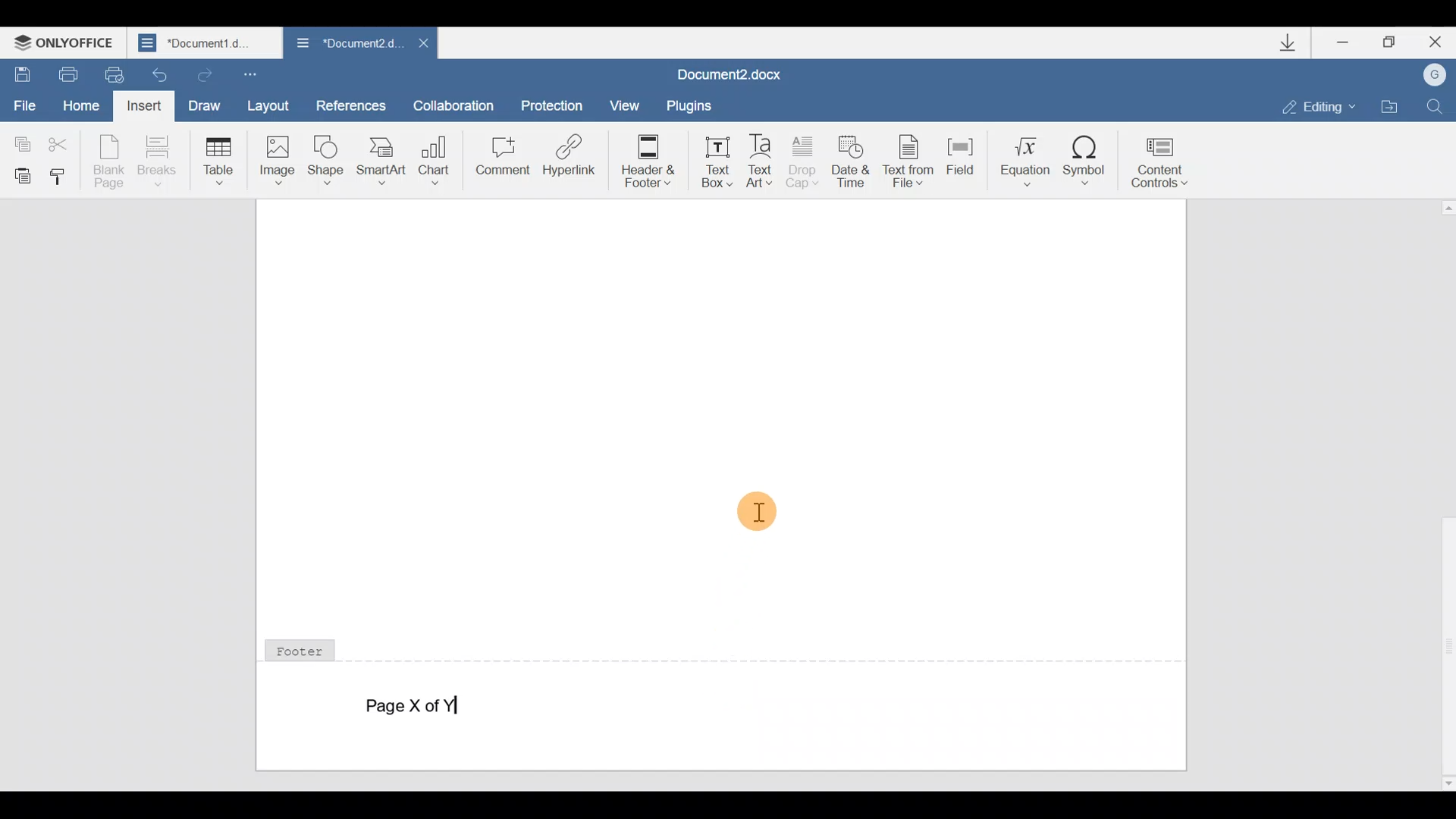  Describe the element at coordinates (1441, 104) in the screenshot. I see `Find` at that location.